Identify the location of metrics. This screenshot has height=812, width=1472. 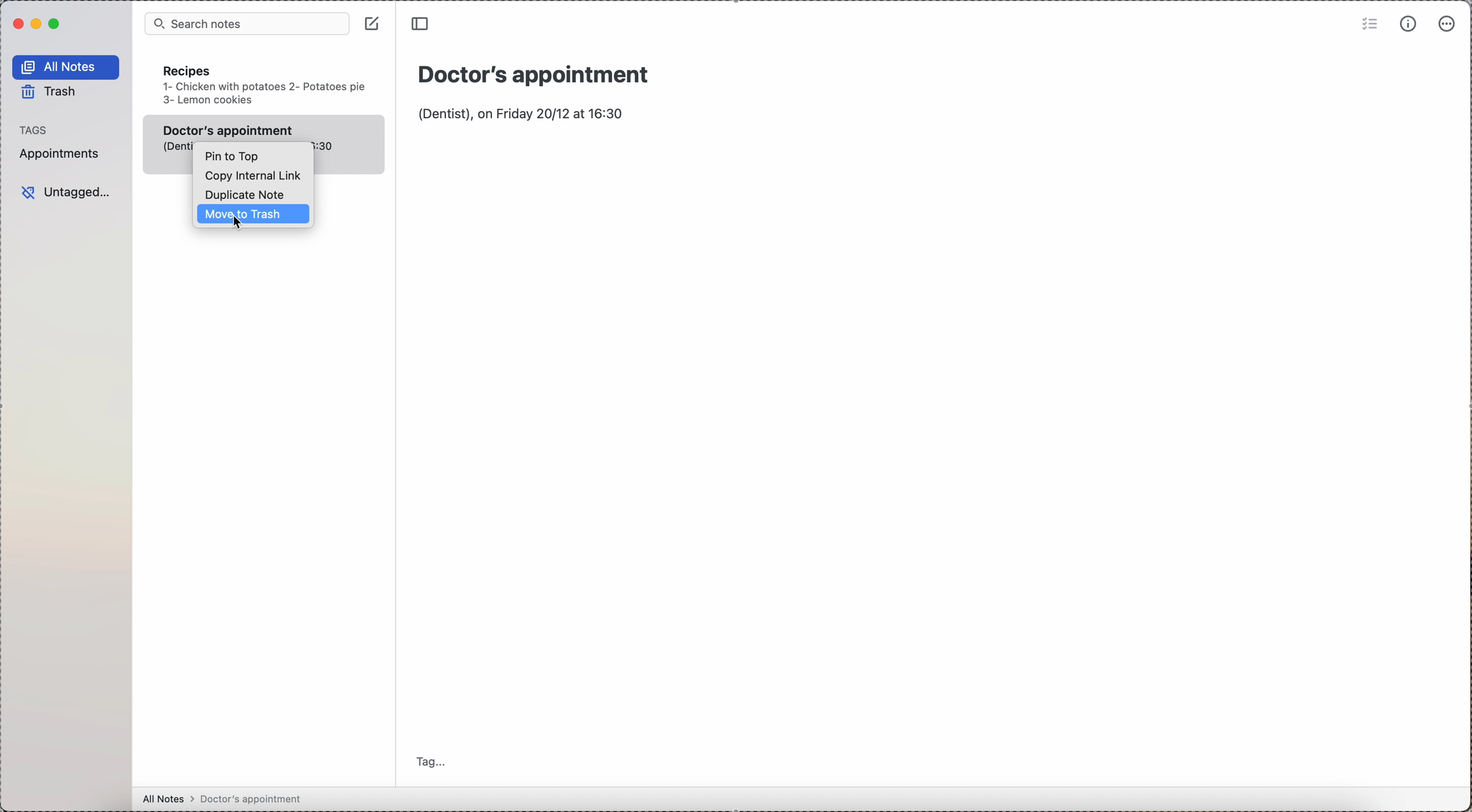
(1409, 24).